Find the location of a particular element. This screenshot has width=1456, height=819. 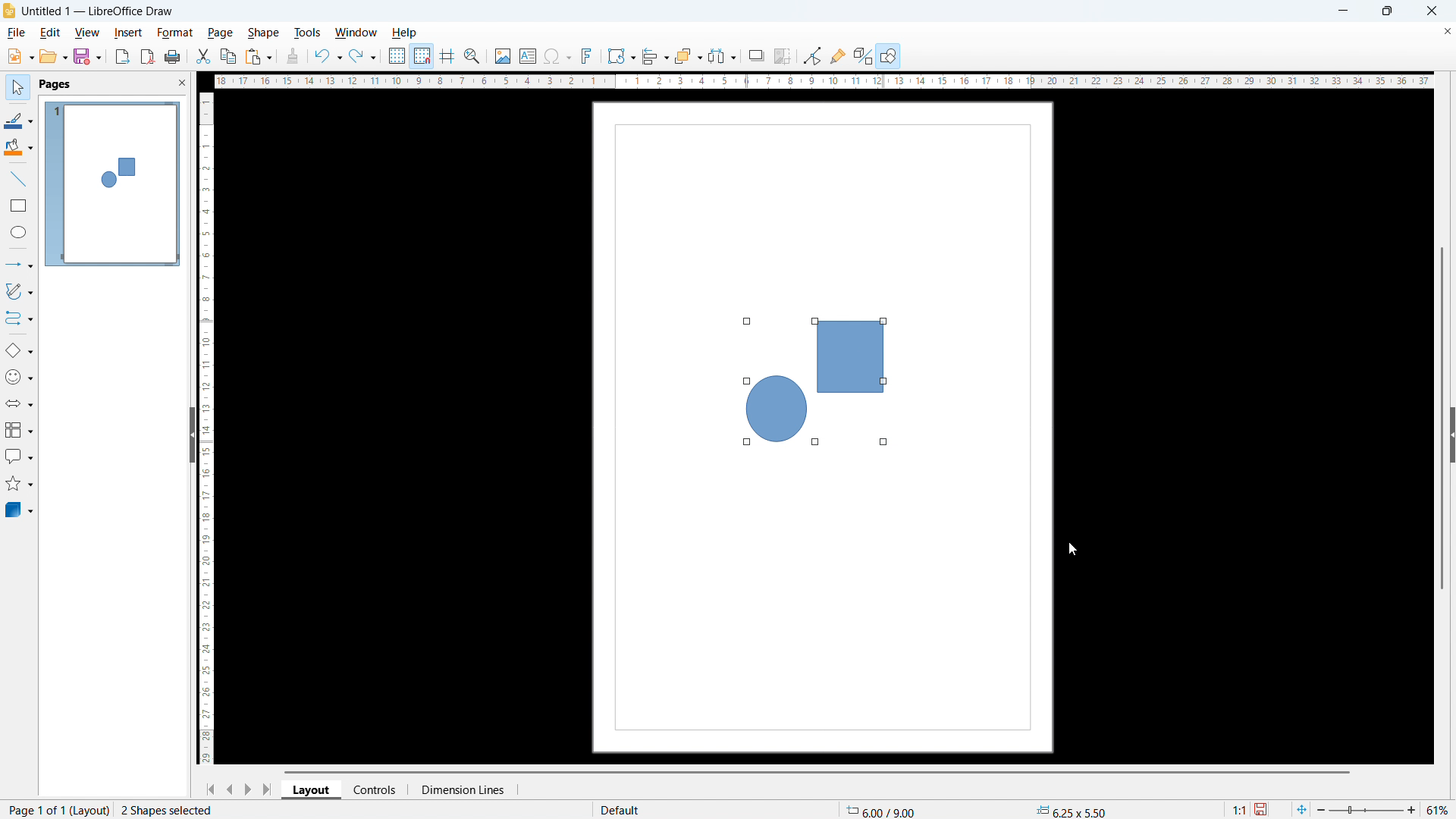

horizontal scrollbar is located at coordinates (813, 772).